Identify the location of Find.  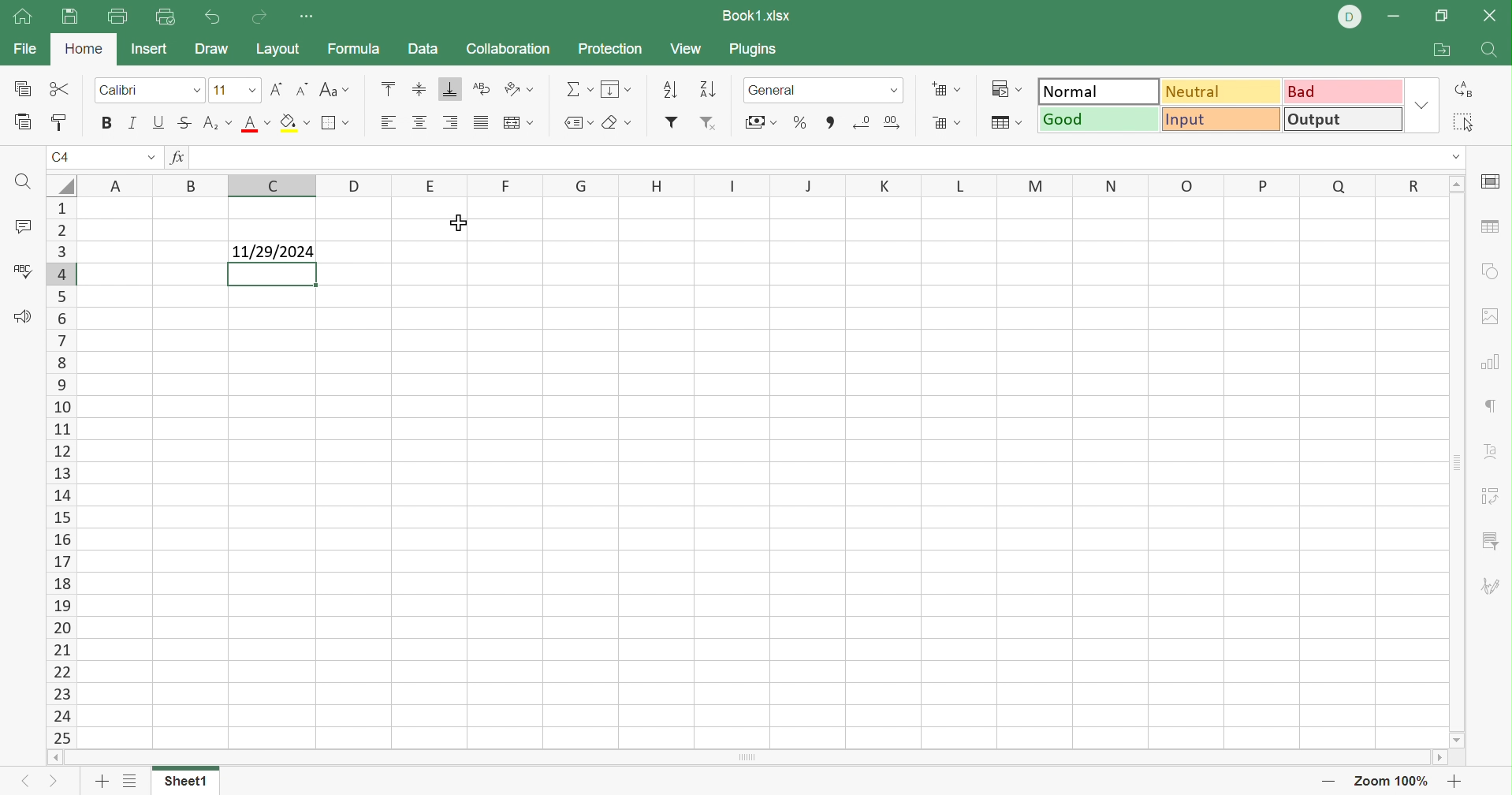
(1488, 50).